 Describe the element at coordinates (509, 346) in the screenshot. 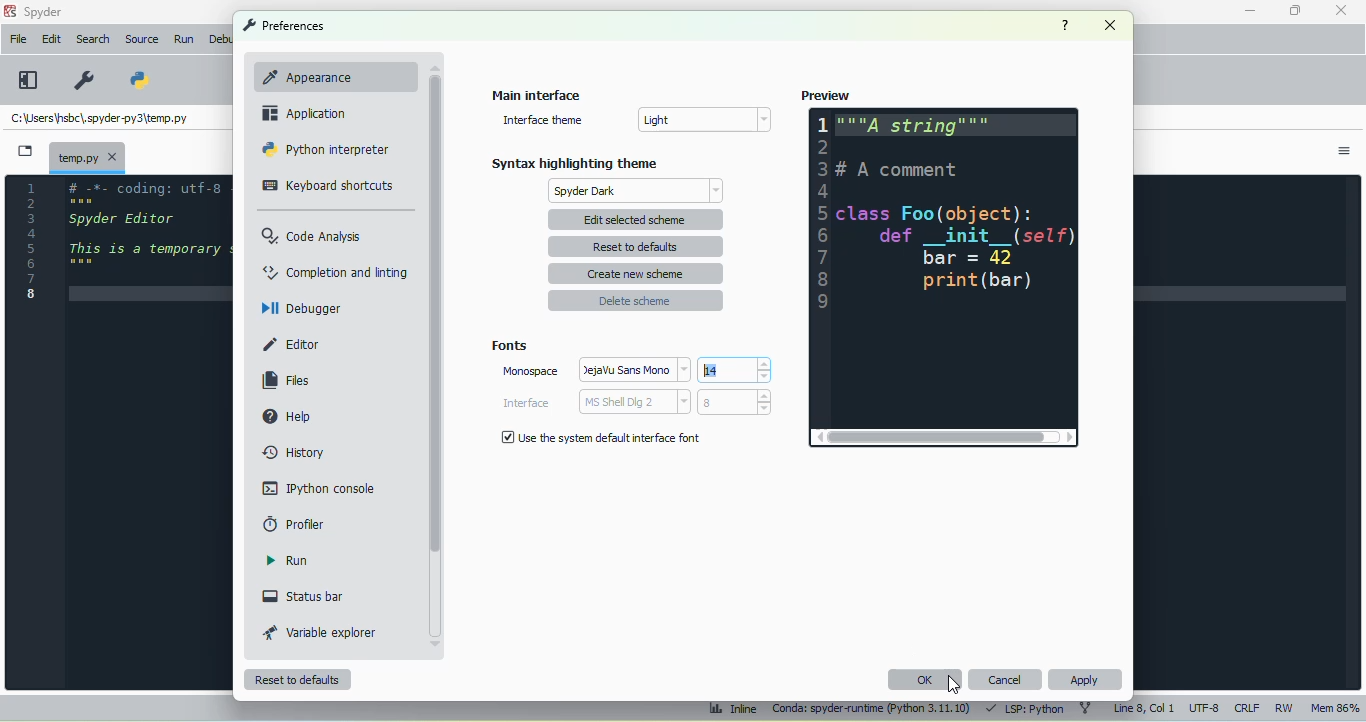

I see `fonts` at that location.